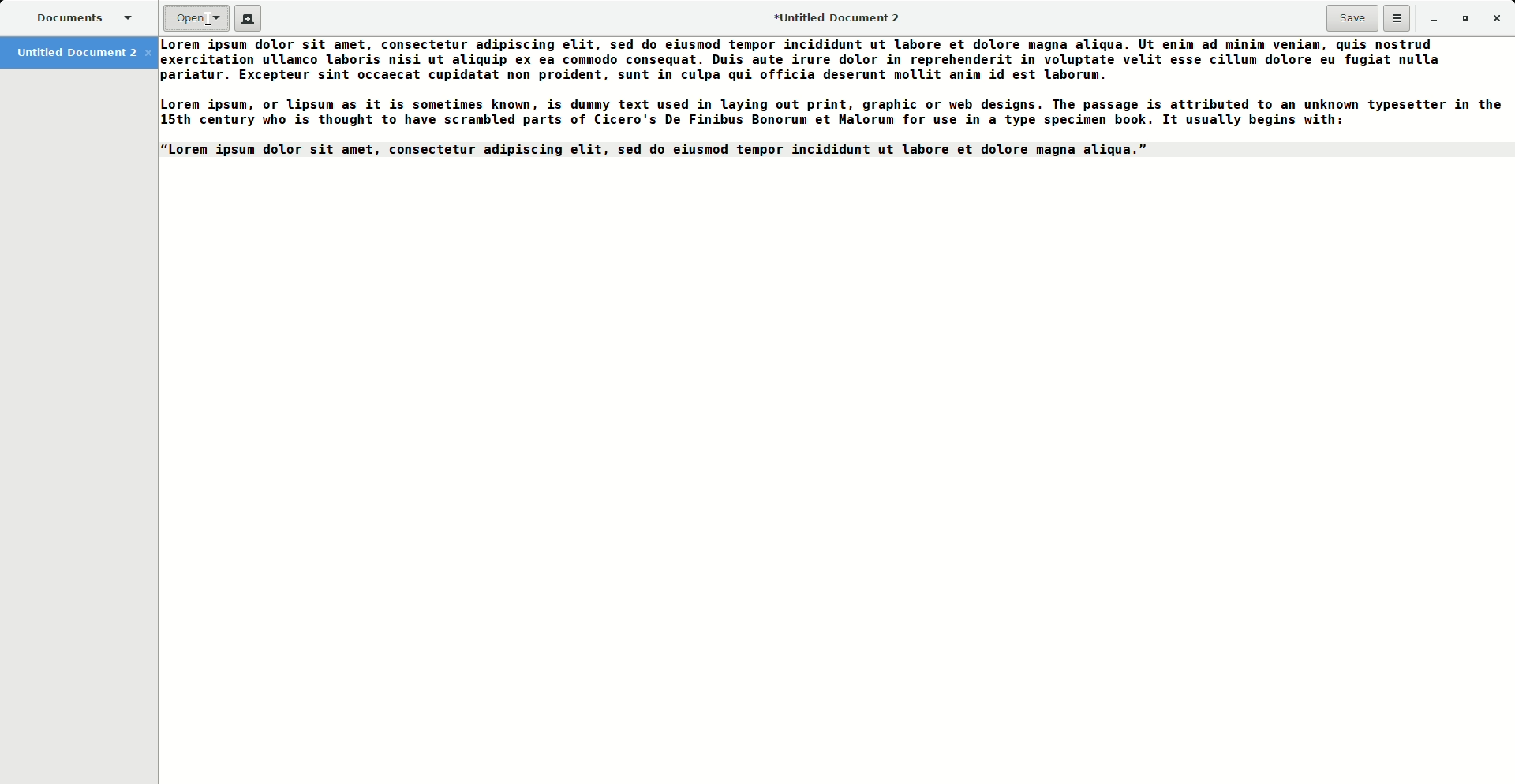  I want to click on Cursor, so click(207, 23).